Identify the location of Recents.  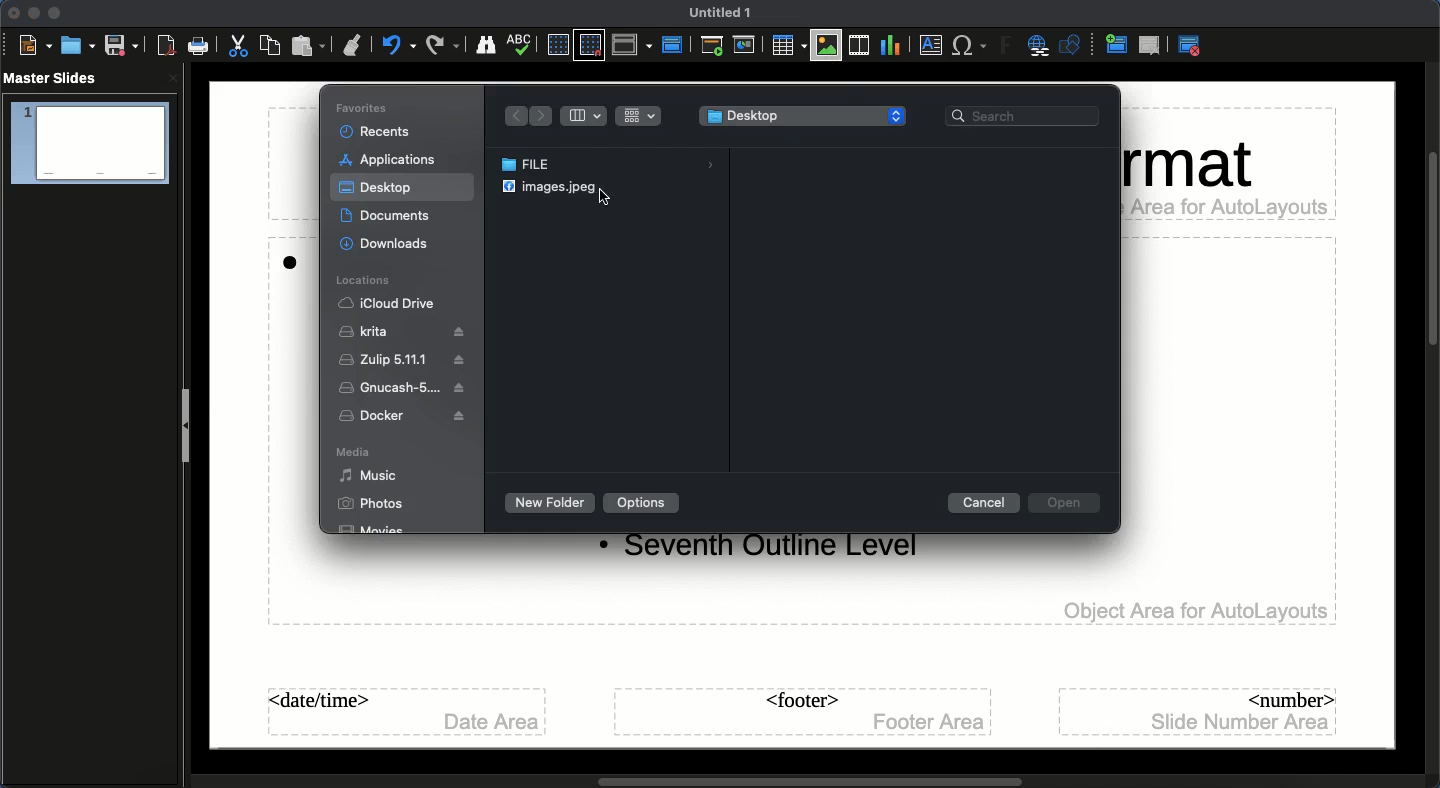
(377, 131).